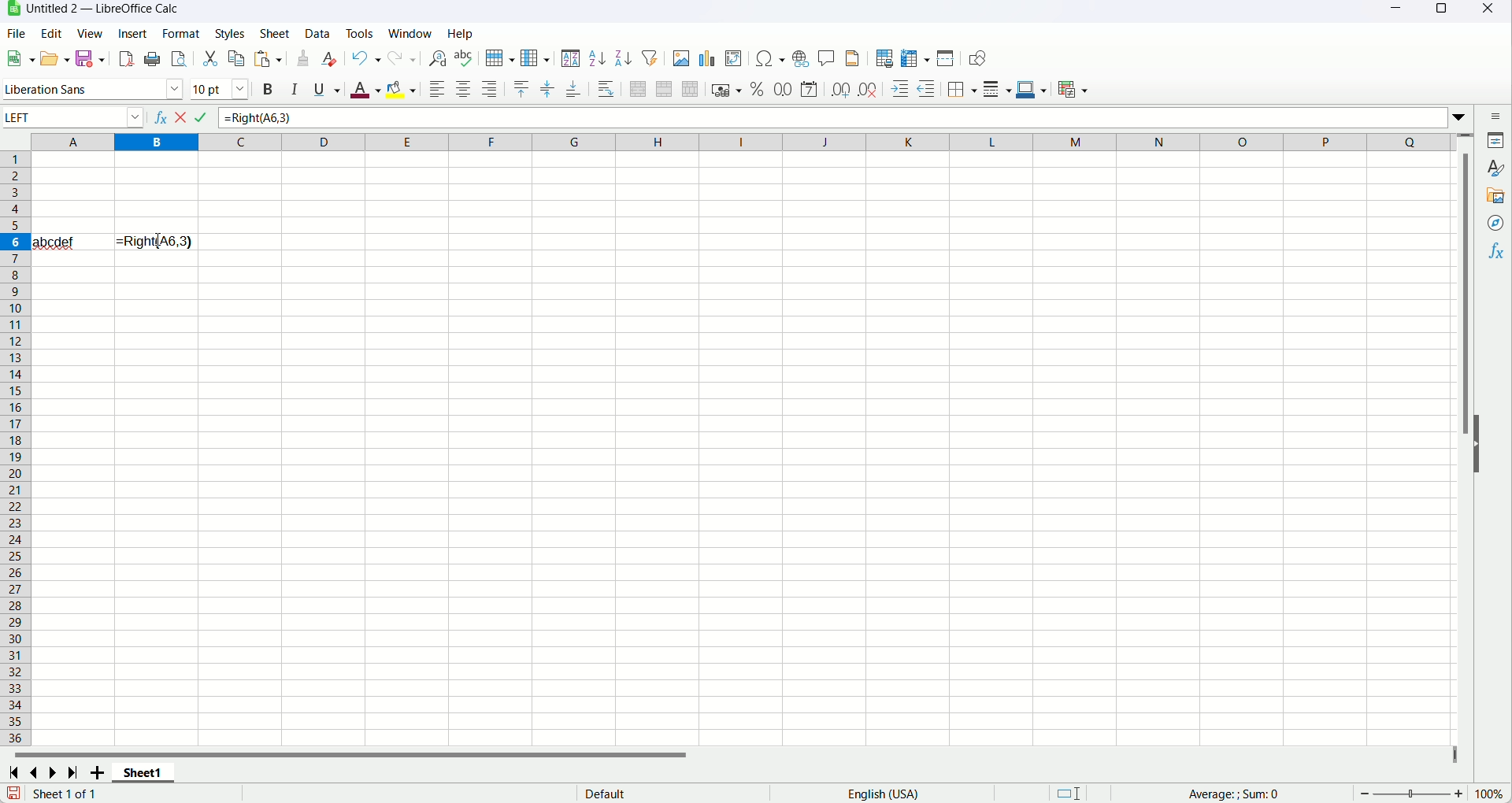 The width and height of the screenshot is (1512, 803). What do you see at coordinates (209, 60) in the screenshot?
I see `cut` at bounding box center [209, 60].